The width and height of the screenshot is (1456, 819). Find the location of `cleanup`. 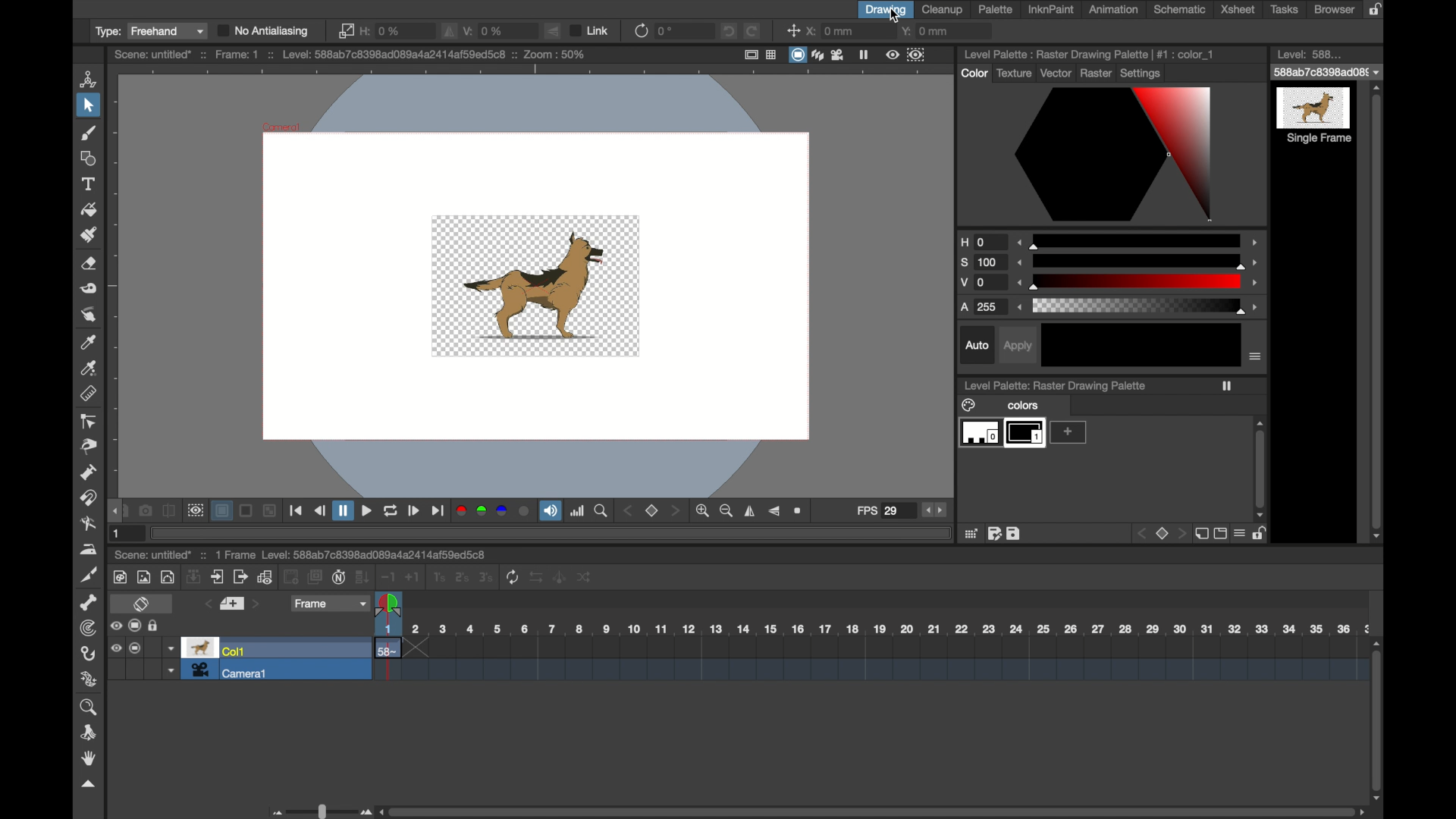

cleanup is located at coordinates (945, 10).